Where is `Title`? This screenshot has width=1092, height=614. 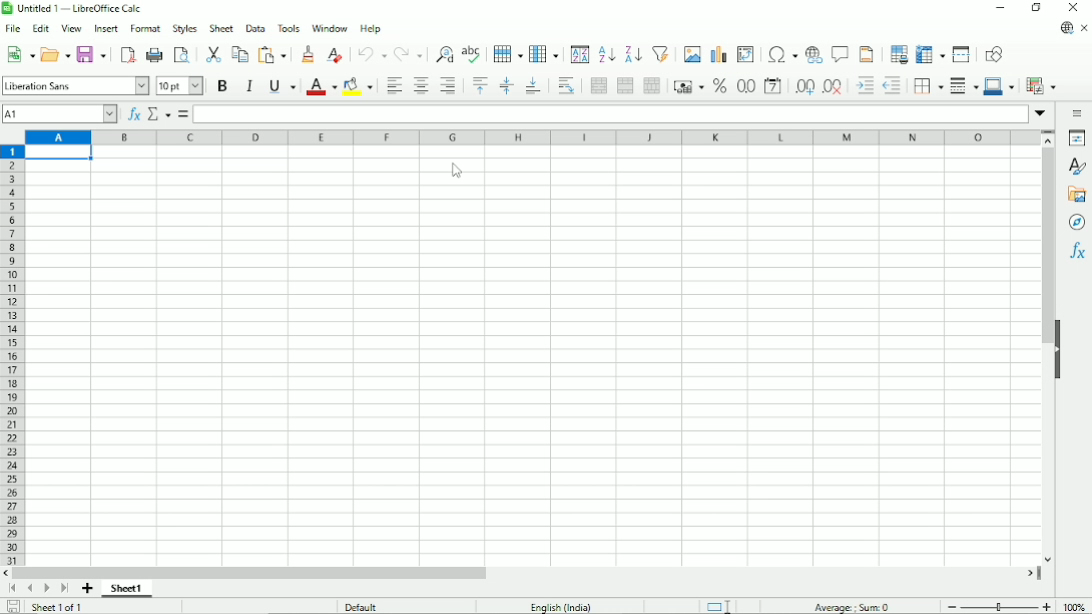
Title is located at coordinates (76, 9).